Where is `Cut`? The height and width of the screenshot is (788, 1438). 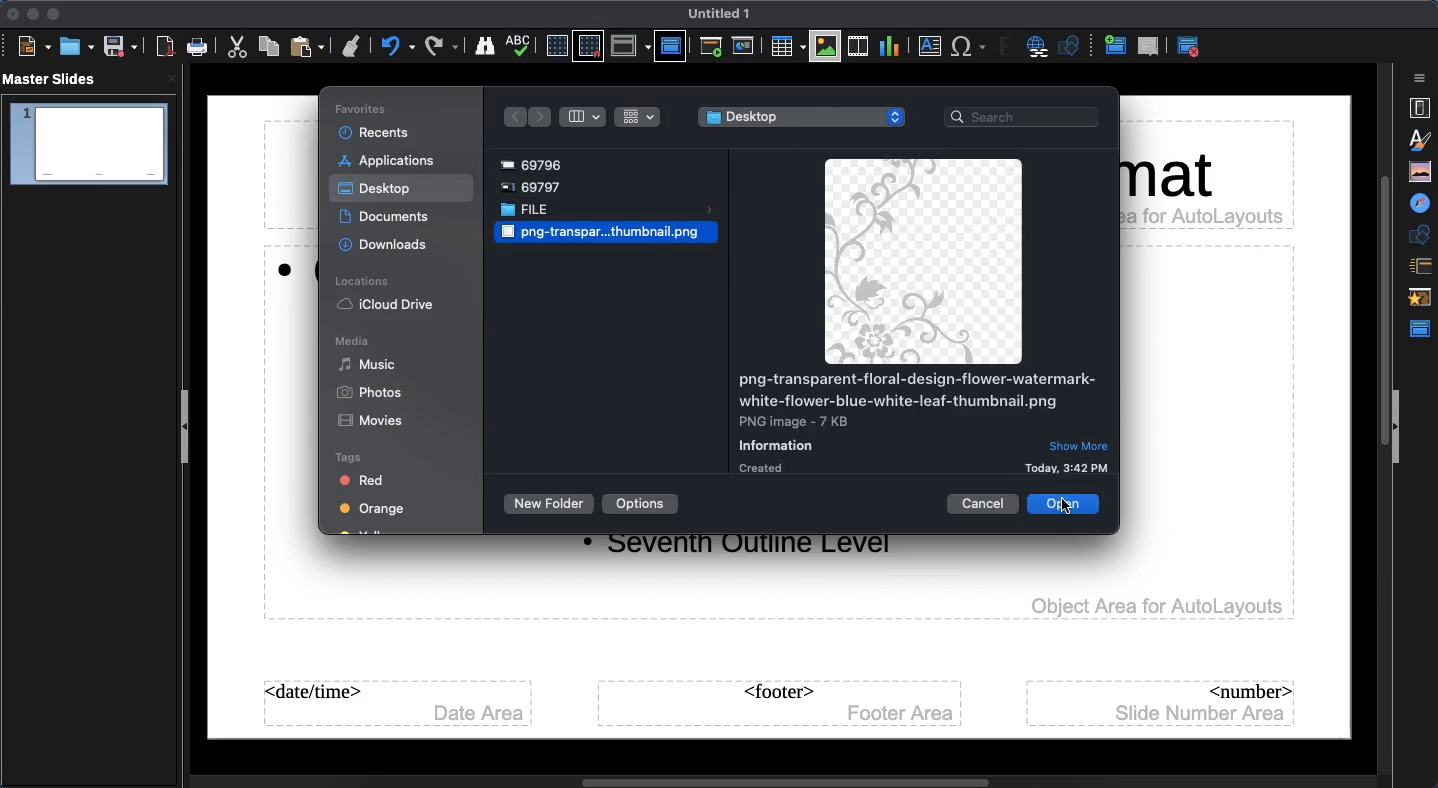
Cut is located at coordinates (240, 47).